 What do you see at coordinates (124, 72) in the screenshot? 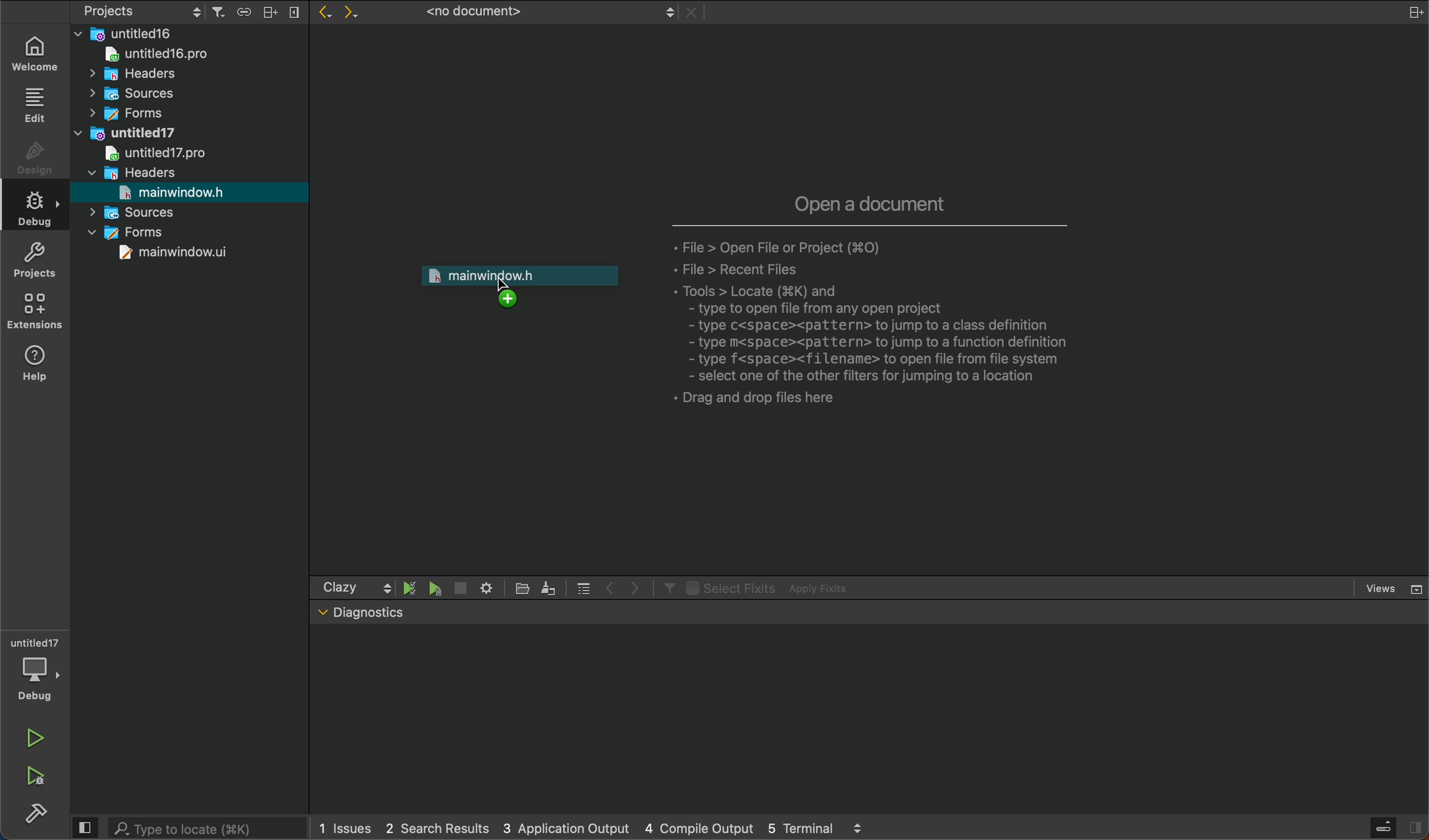
I see `Headers` at bounding box center [124, 72].